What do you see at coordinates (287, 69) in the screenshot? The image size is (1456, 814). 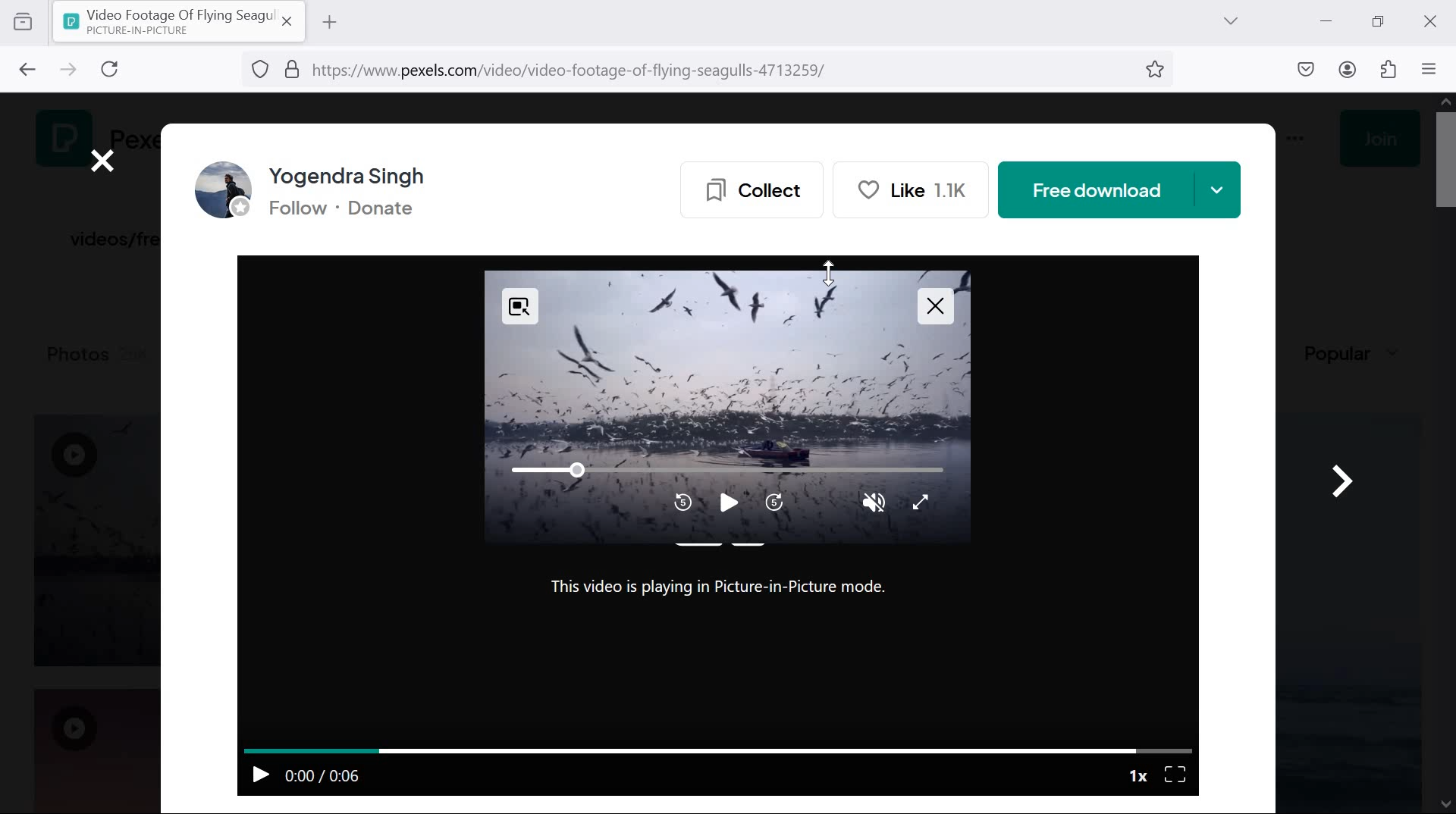 I see `PERMISSIONS` at bounding box center [287, 69].